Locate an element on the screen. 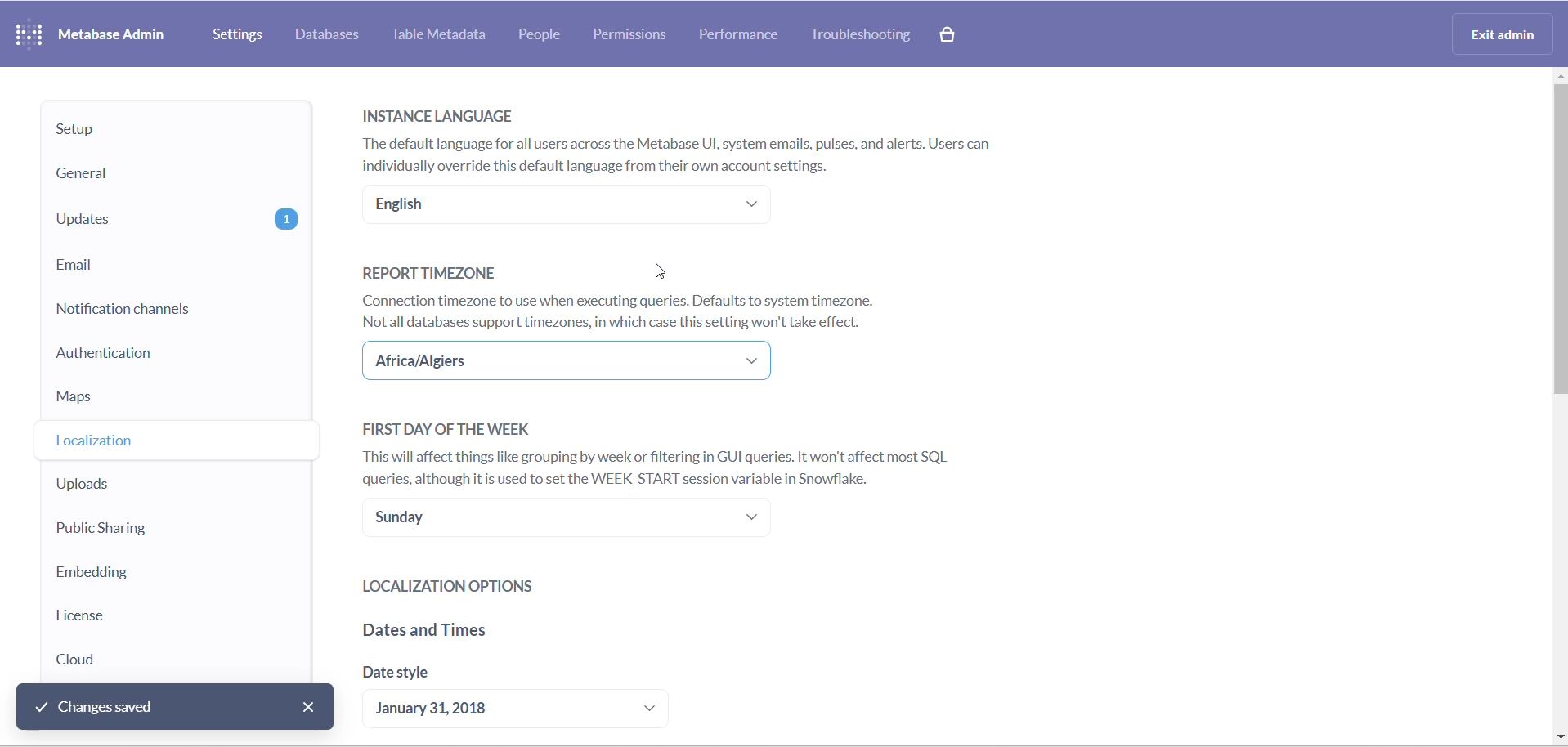 The height and width of the screenshot is (747, 1568). localization options is located at coordinates (529, 586).